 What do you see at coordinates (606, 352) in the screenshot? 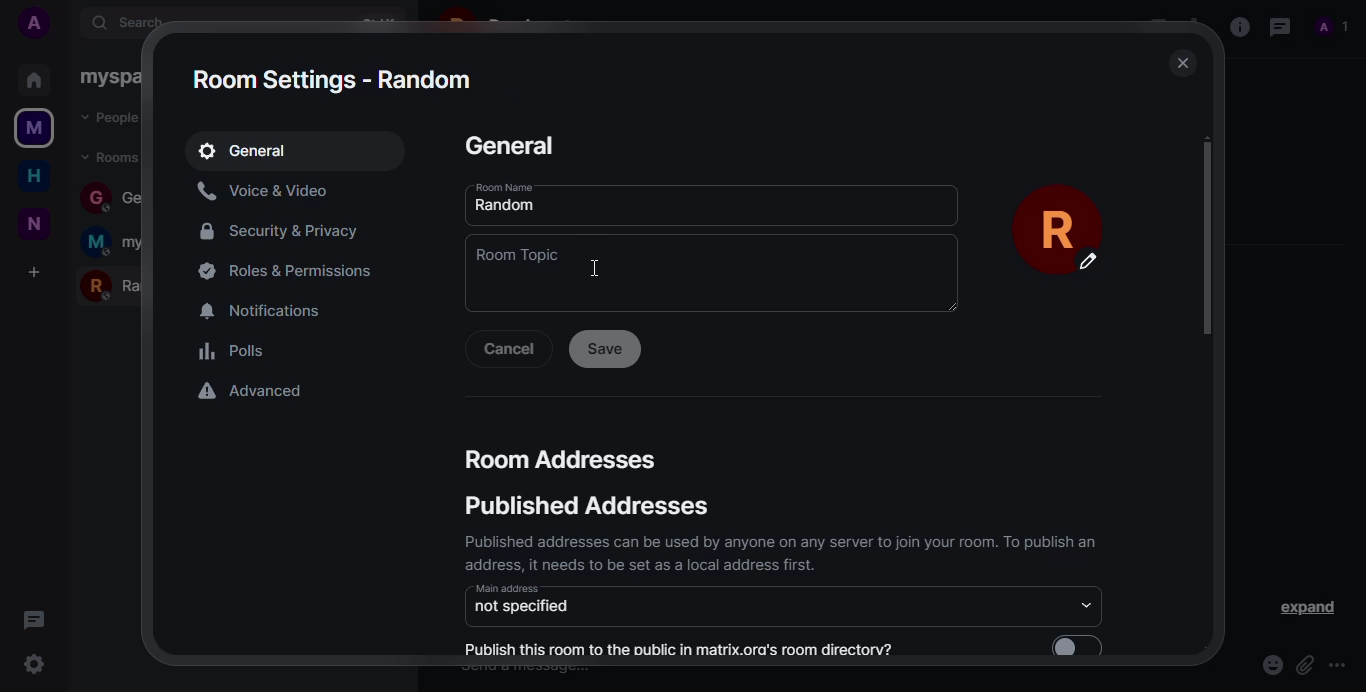
I see `save` at bounding box center [606, 352].